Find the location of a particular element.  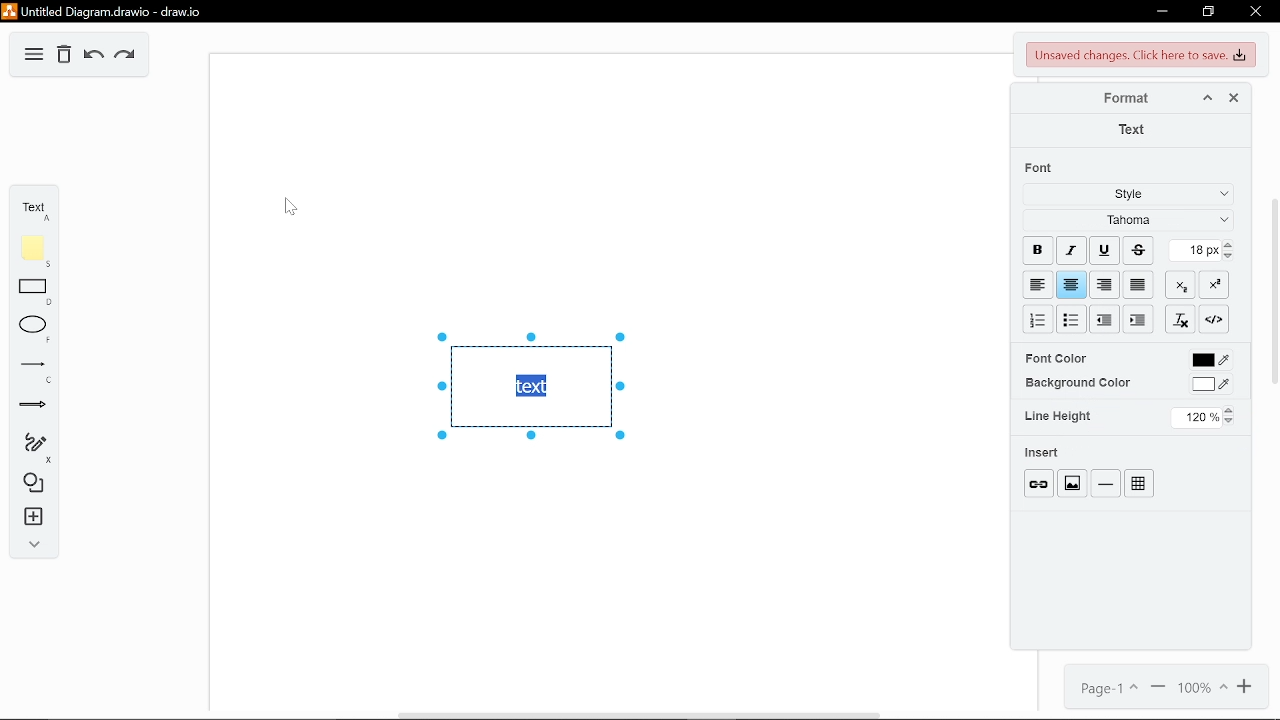

freehand is located at coordinates (28, 449).